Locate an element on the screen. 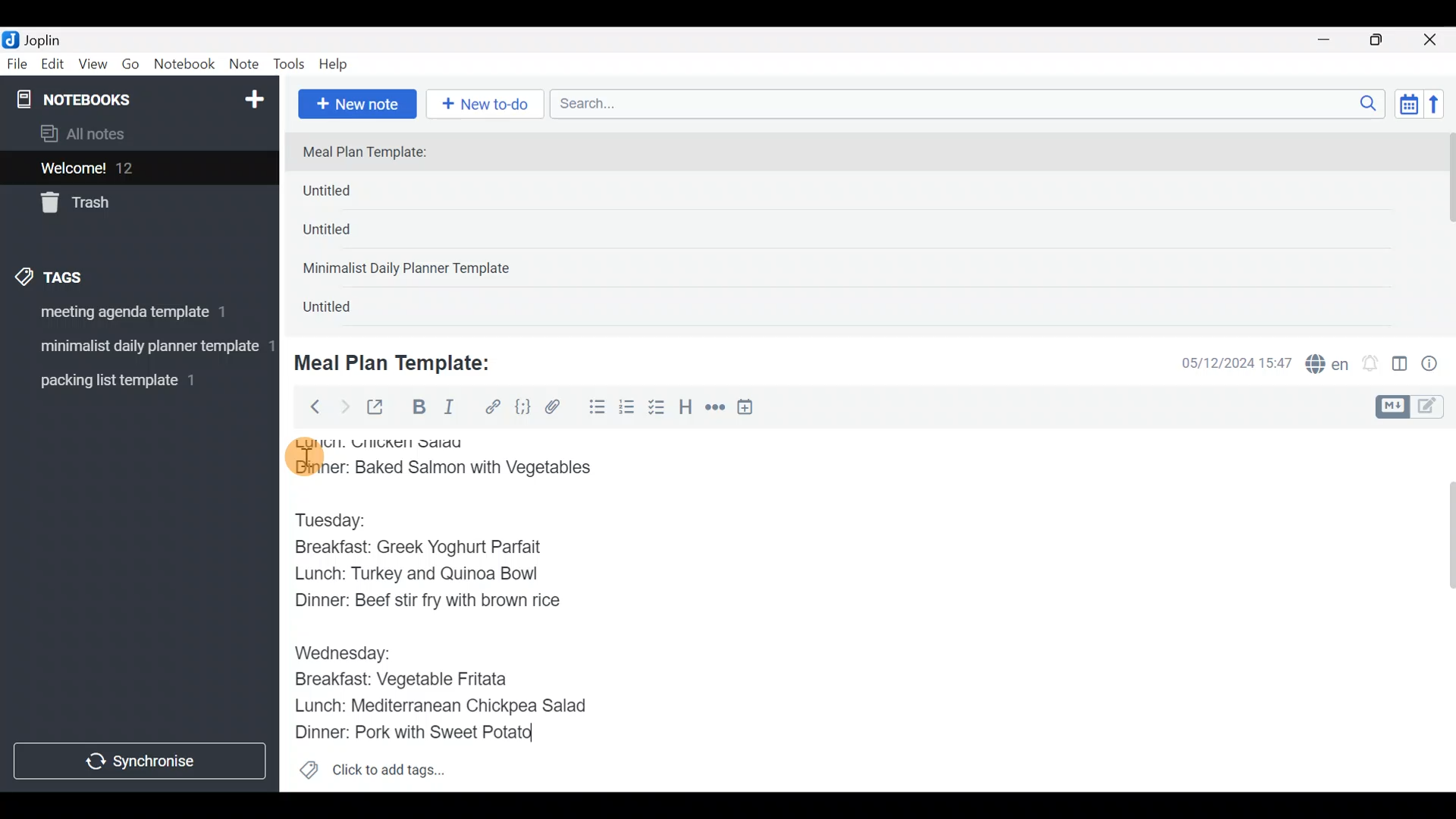  Scroll bar is located at coordinates (1440, 610).